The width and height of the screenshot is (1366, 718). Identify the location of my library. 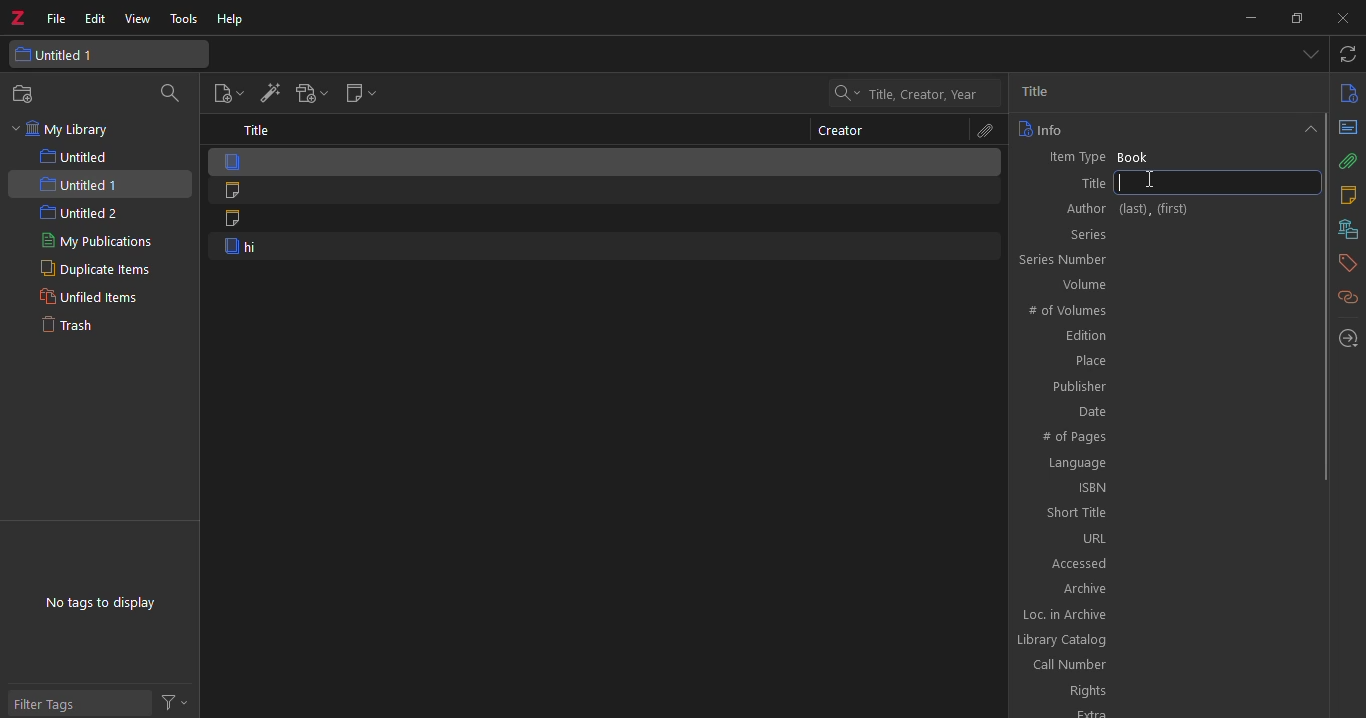
(64, 130).